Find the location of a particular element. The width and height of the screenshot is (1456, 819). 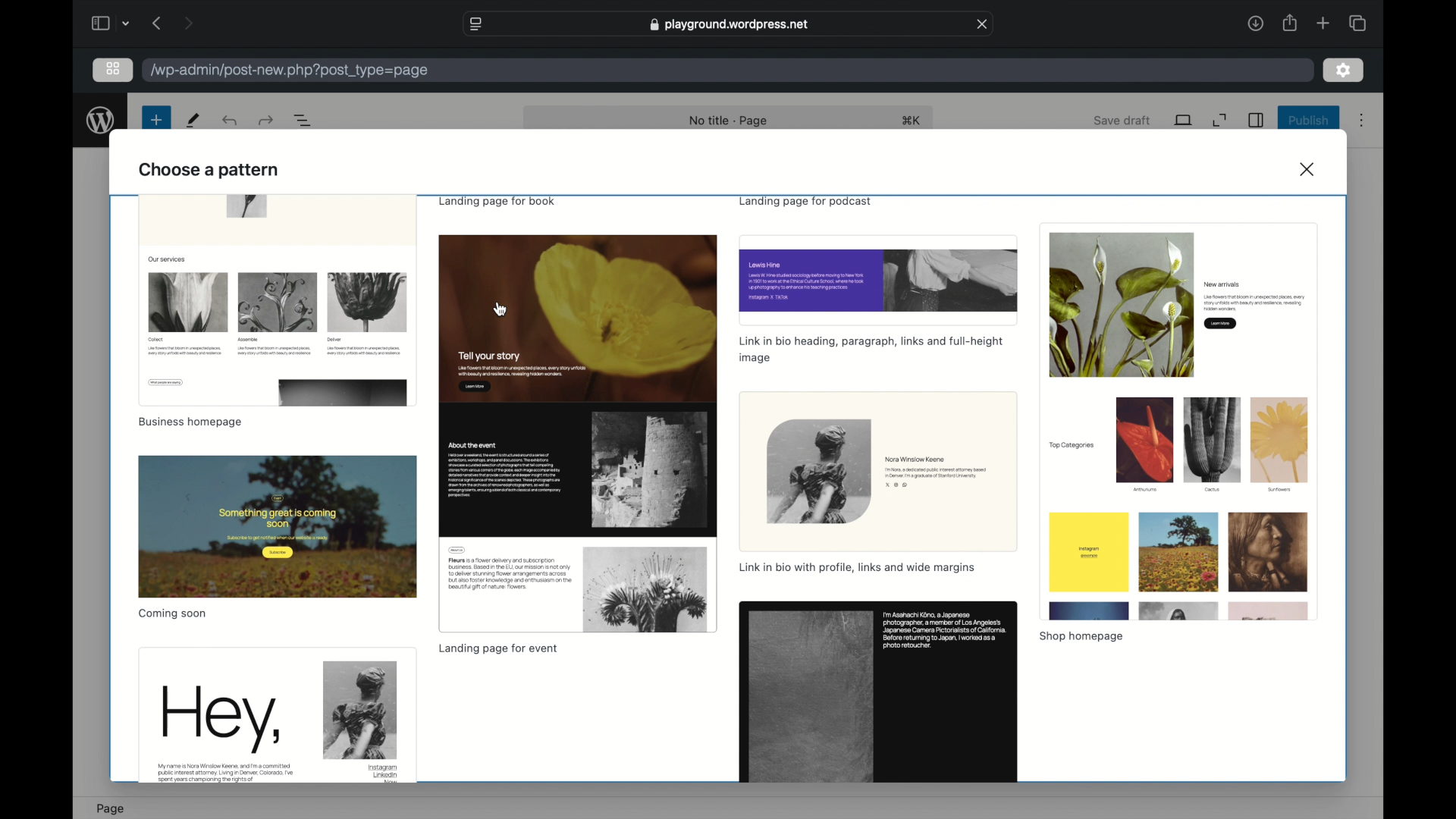

preview is located at coordinates (878, 280).